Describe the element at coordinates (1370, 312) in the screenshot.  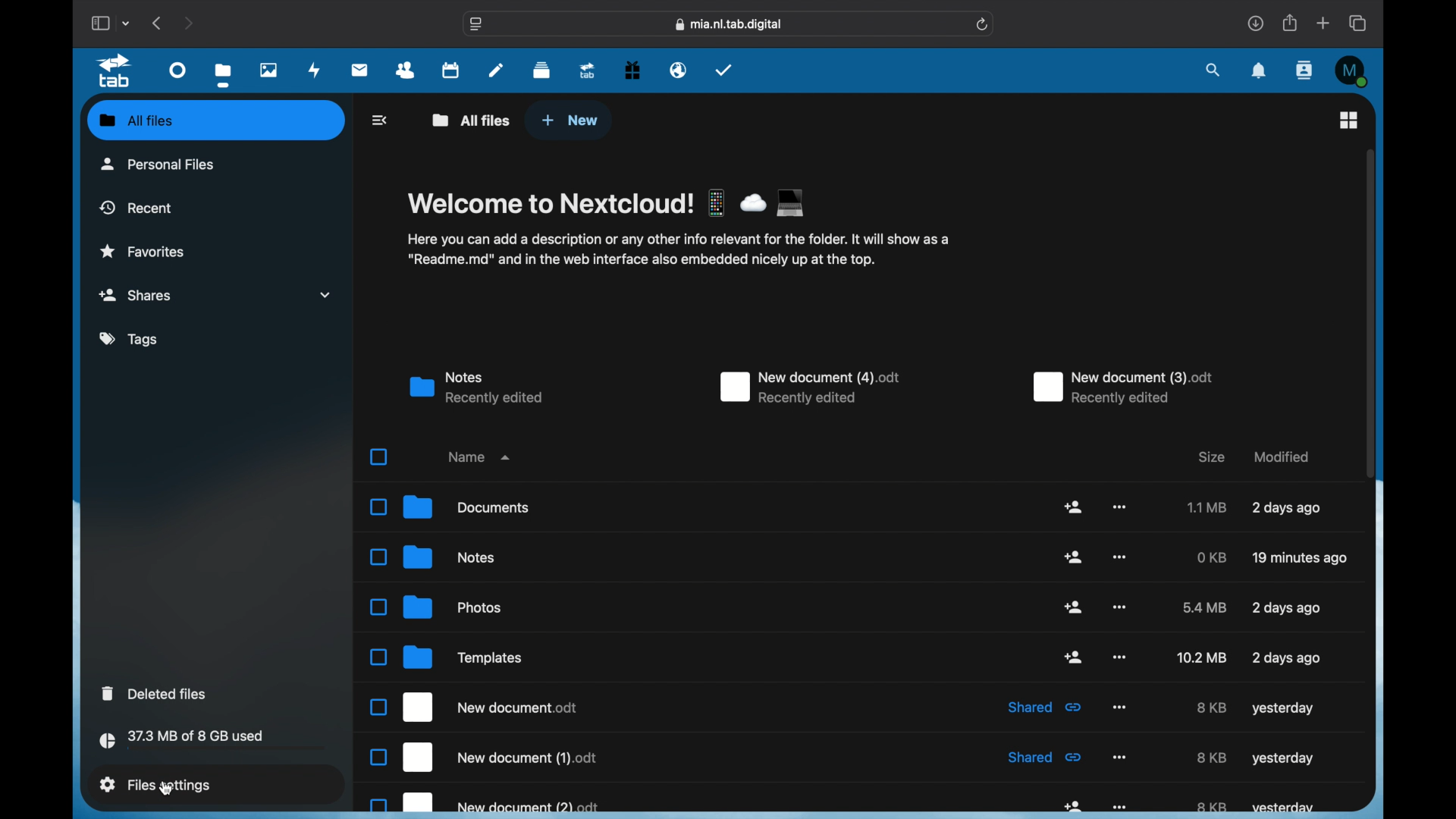
I see `scroll box` at that location.